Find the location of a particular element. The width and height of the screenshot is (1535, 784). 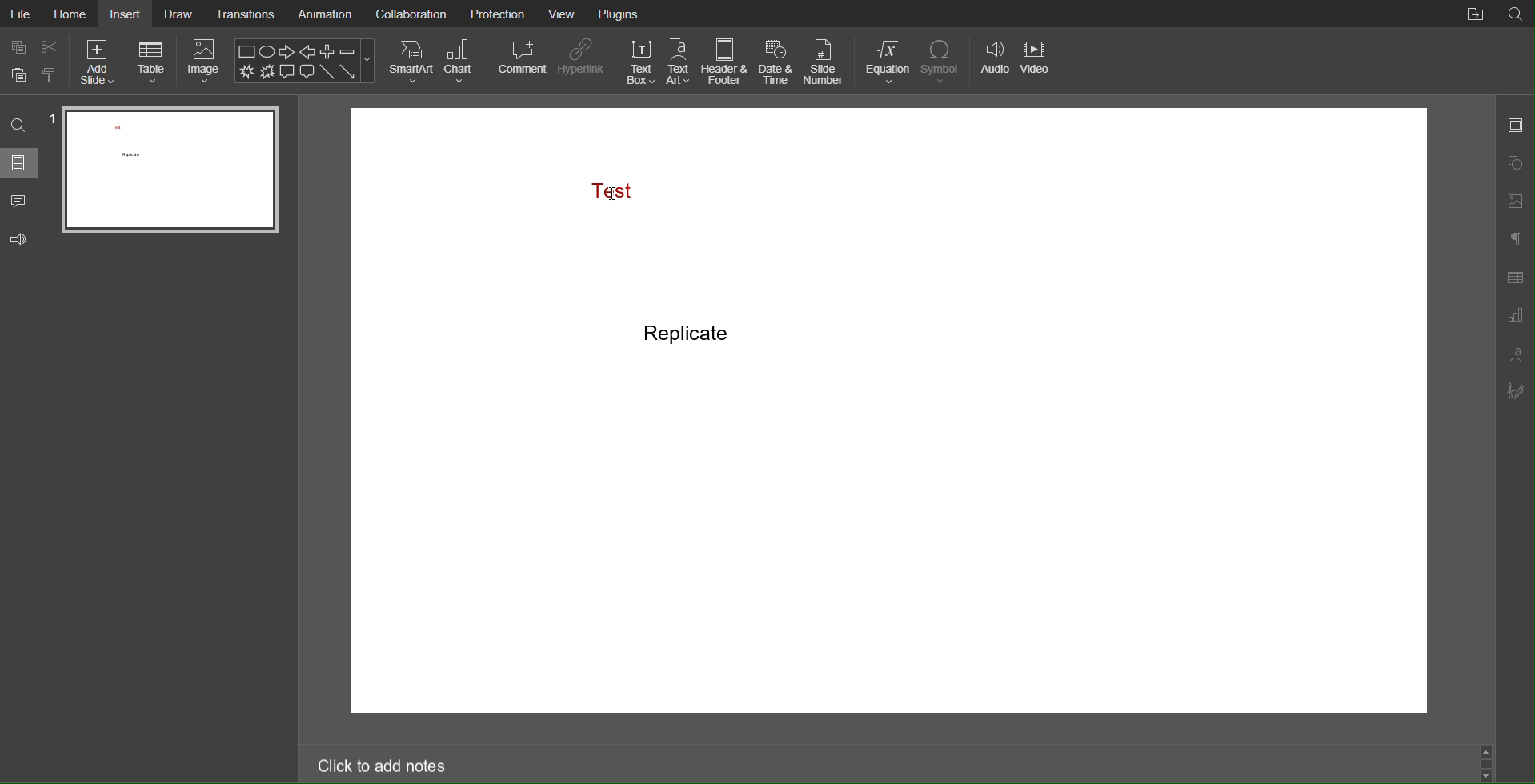

Signature is located at coordinates (1515, 390).